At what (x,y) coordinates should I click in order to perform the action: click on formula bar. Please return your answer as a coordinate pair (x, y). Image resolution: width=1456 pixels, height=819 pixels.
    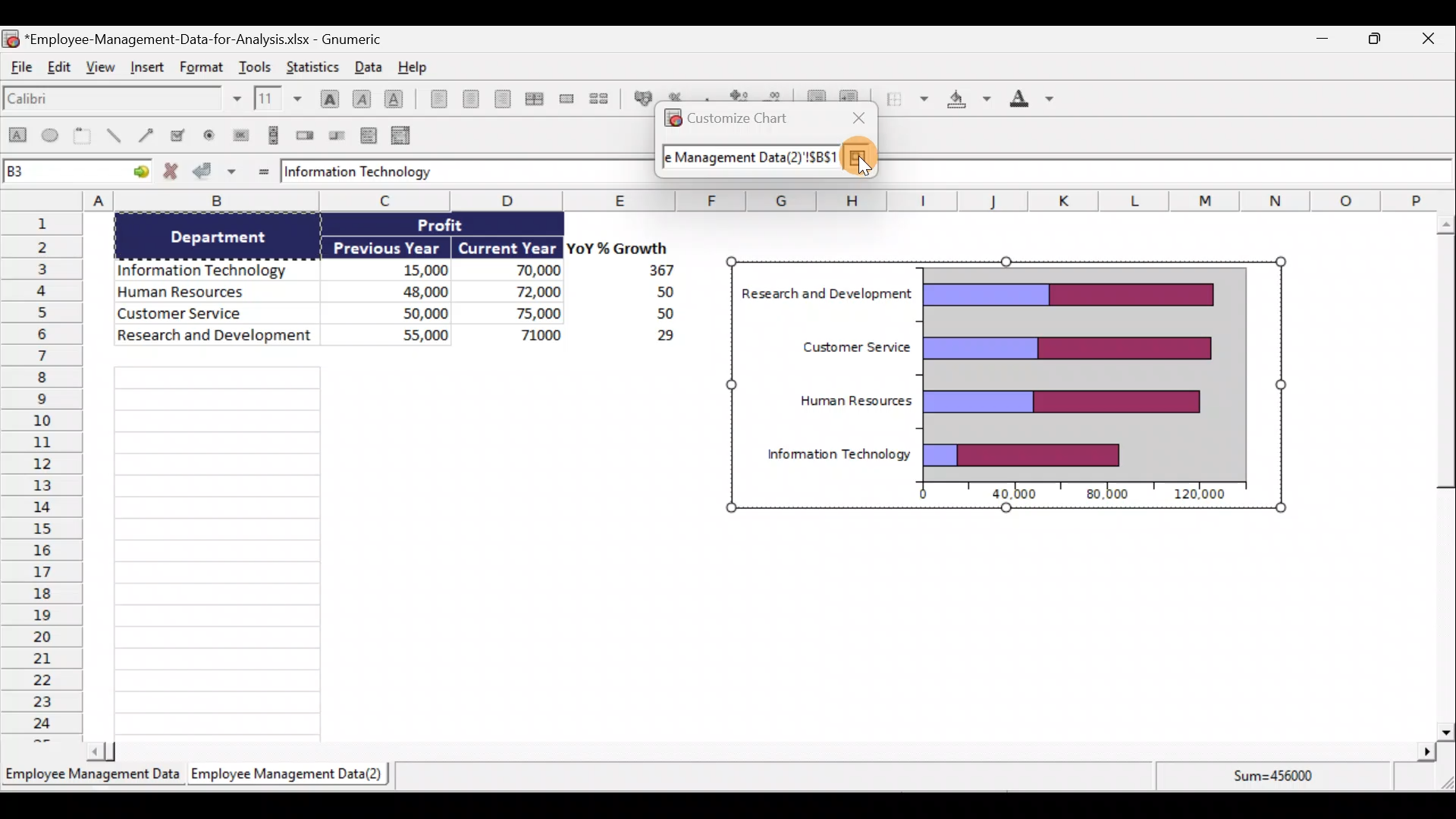
    Looking at the image, I should click on (442, 171).